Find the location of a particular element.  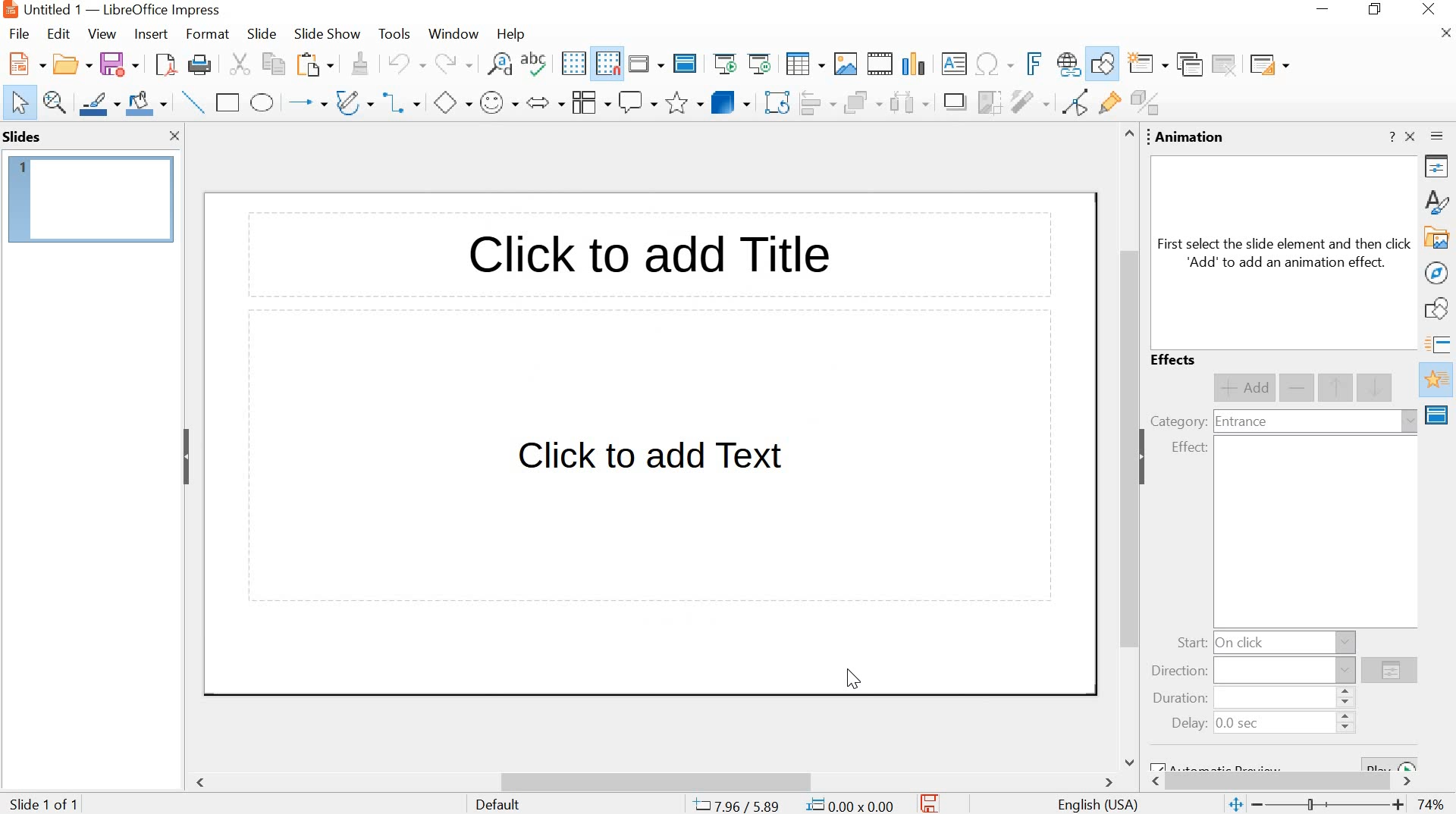

delay is located at coordinates (1189, 724).